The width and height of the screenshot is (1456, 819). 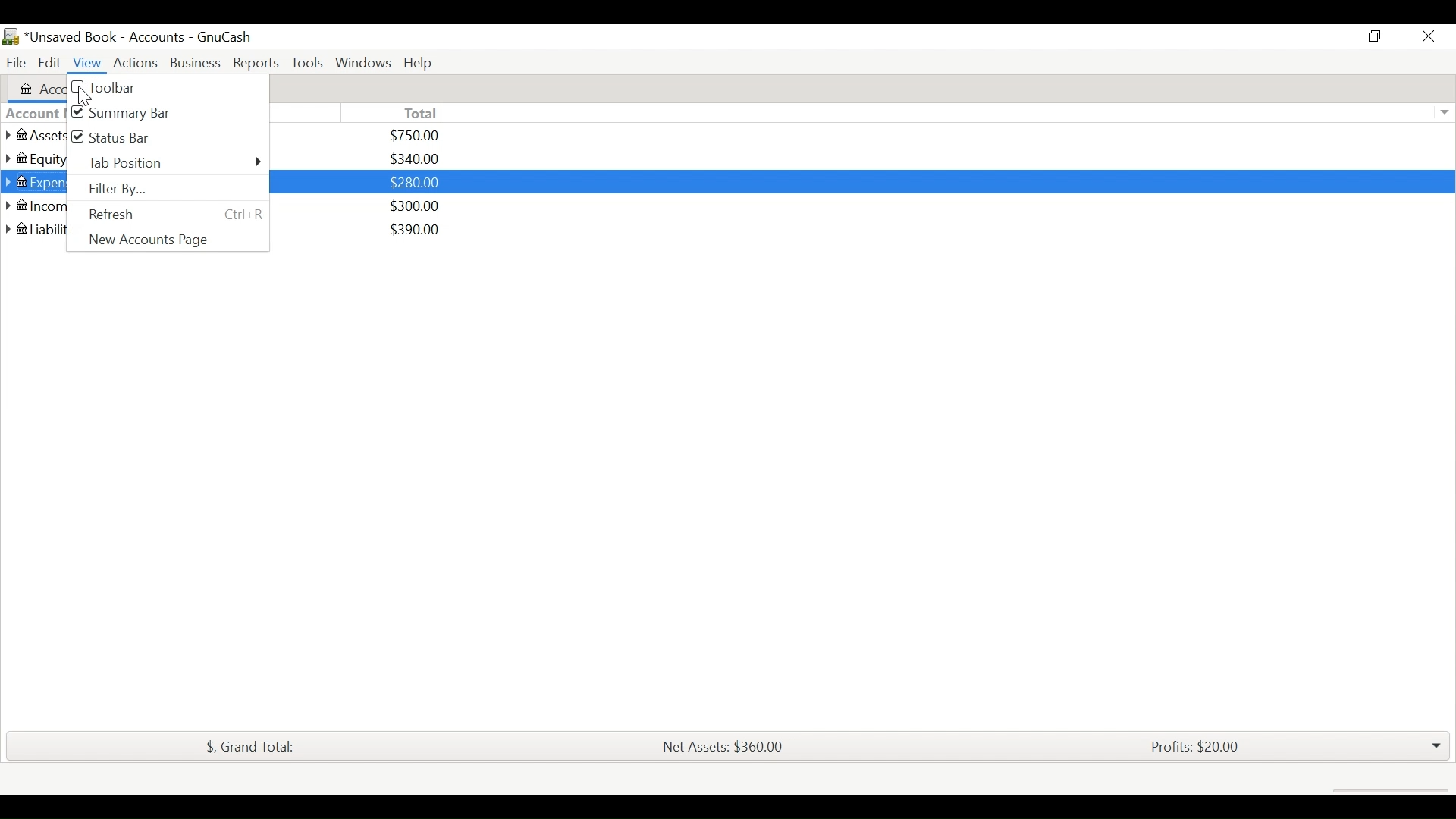 What do you see at coordinates (1196, 748) in the screenshot?
I see `Profits` at bounding box center [1196, 748].